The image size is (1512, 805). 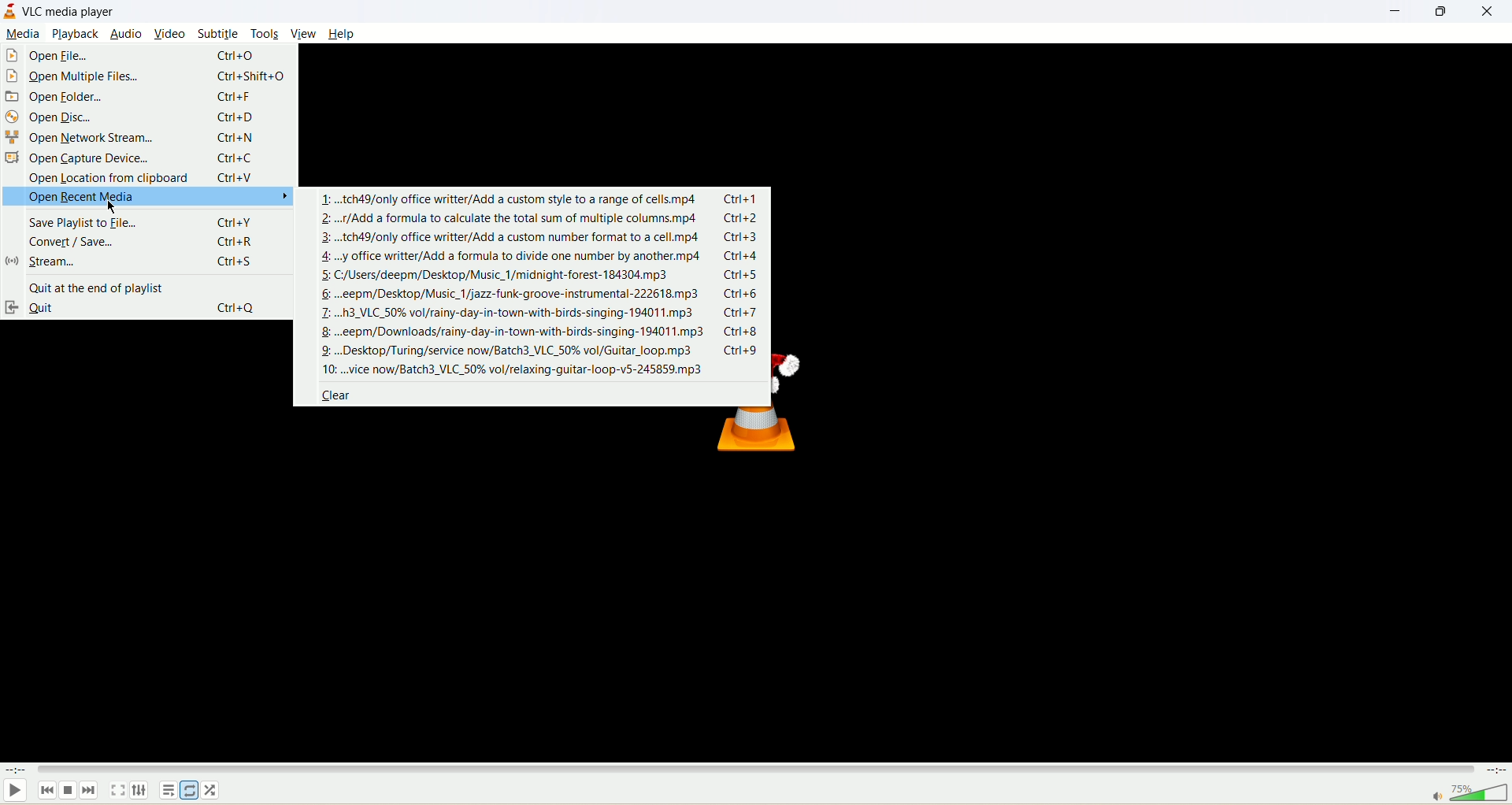 I want to click on 8 ...eepm/Downloads/rainy-day-in-town-with-birds-singing-194011.mp3, so click(x=513, y=332).